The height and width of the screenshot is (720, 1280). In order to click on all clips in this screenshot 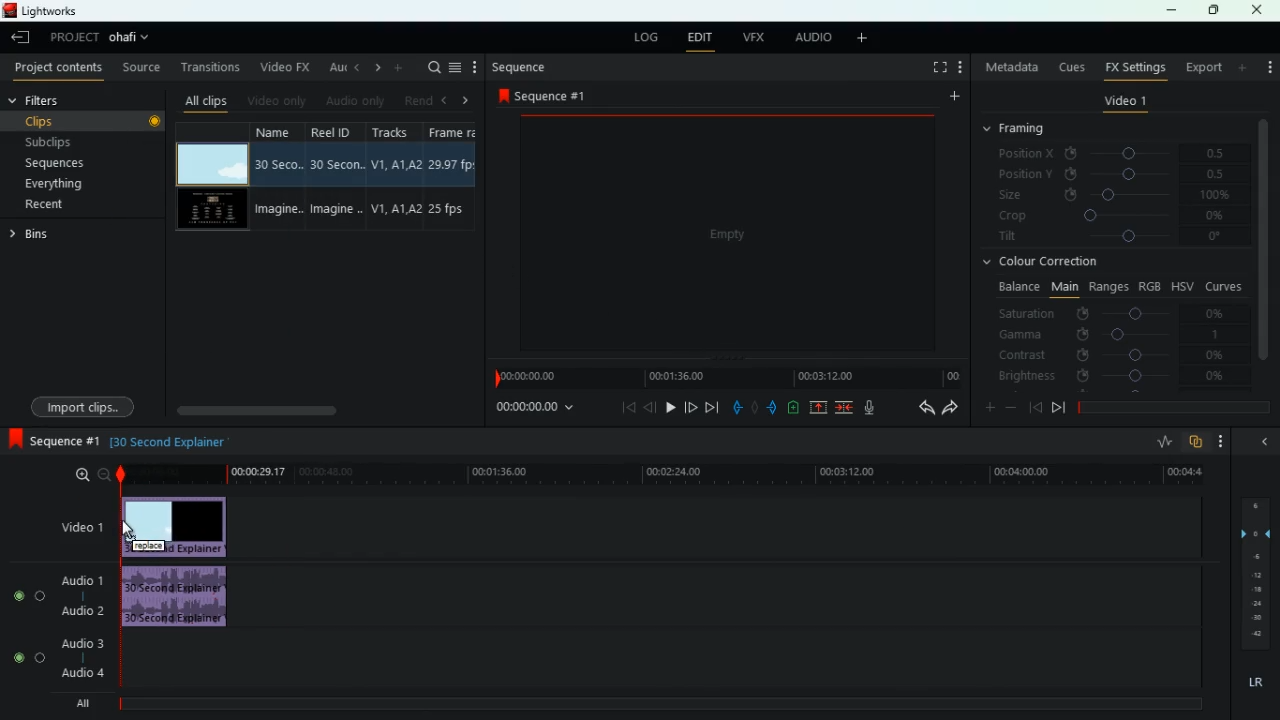, I will do `click(206, 100)`.